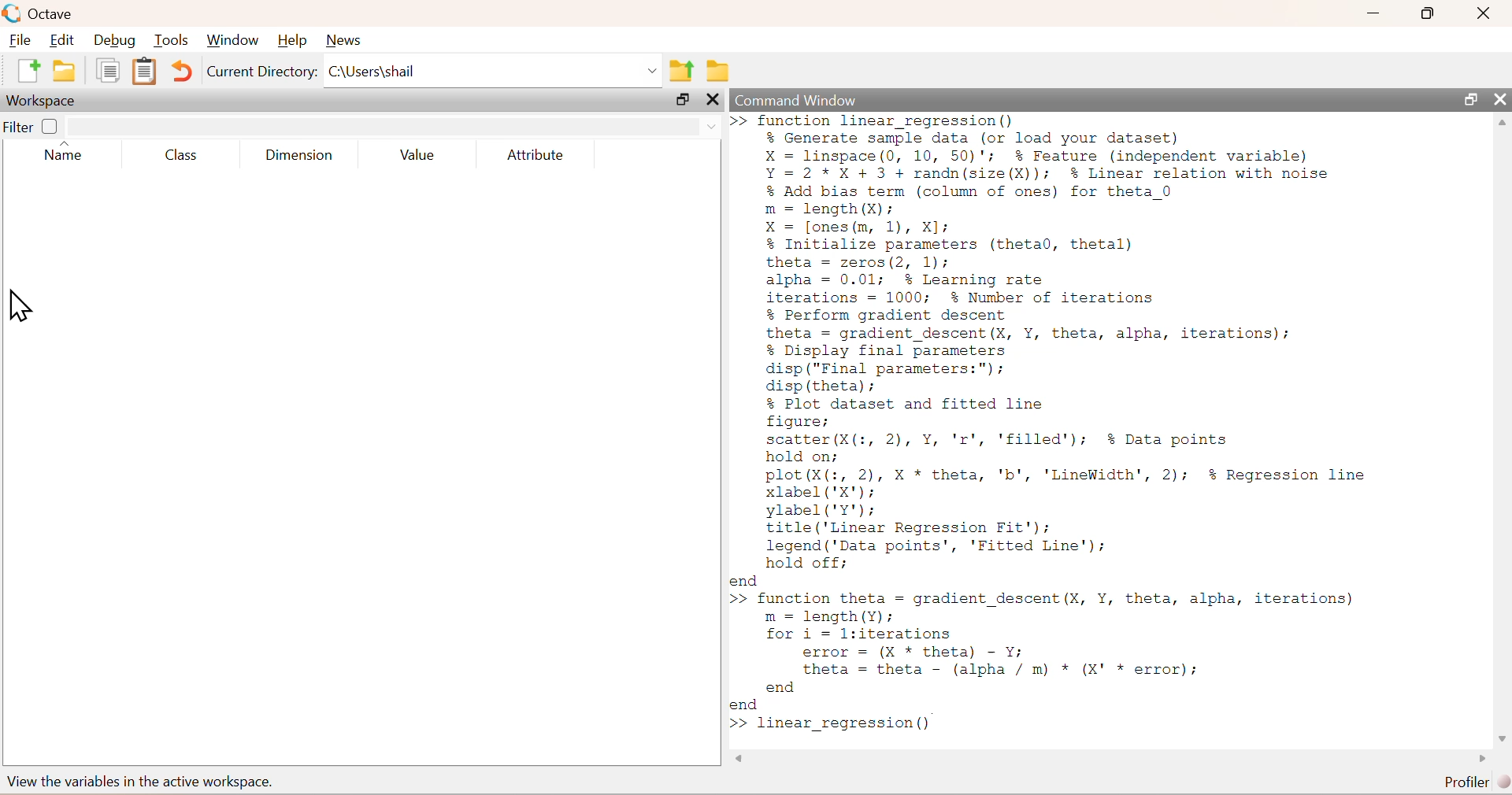 The width and height of the screenshot is (1512, 795). I want to click on % Plot dataset and fitted linefigure;scatter (X(:, 2), Y, 'r', 'filled'); % Data pointshold on;plot(X(:, 2), X * theta, 'b', 'LineWidth', 2); $% Regression linexlabel ('X');ylabel('Y');title ('Linear Regression Fit');legend ('Data points’, 'Fitted Line');hold off;end, so click(1060, 493).